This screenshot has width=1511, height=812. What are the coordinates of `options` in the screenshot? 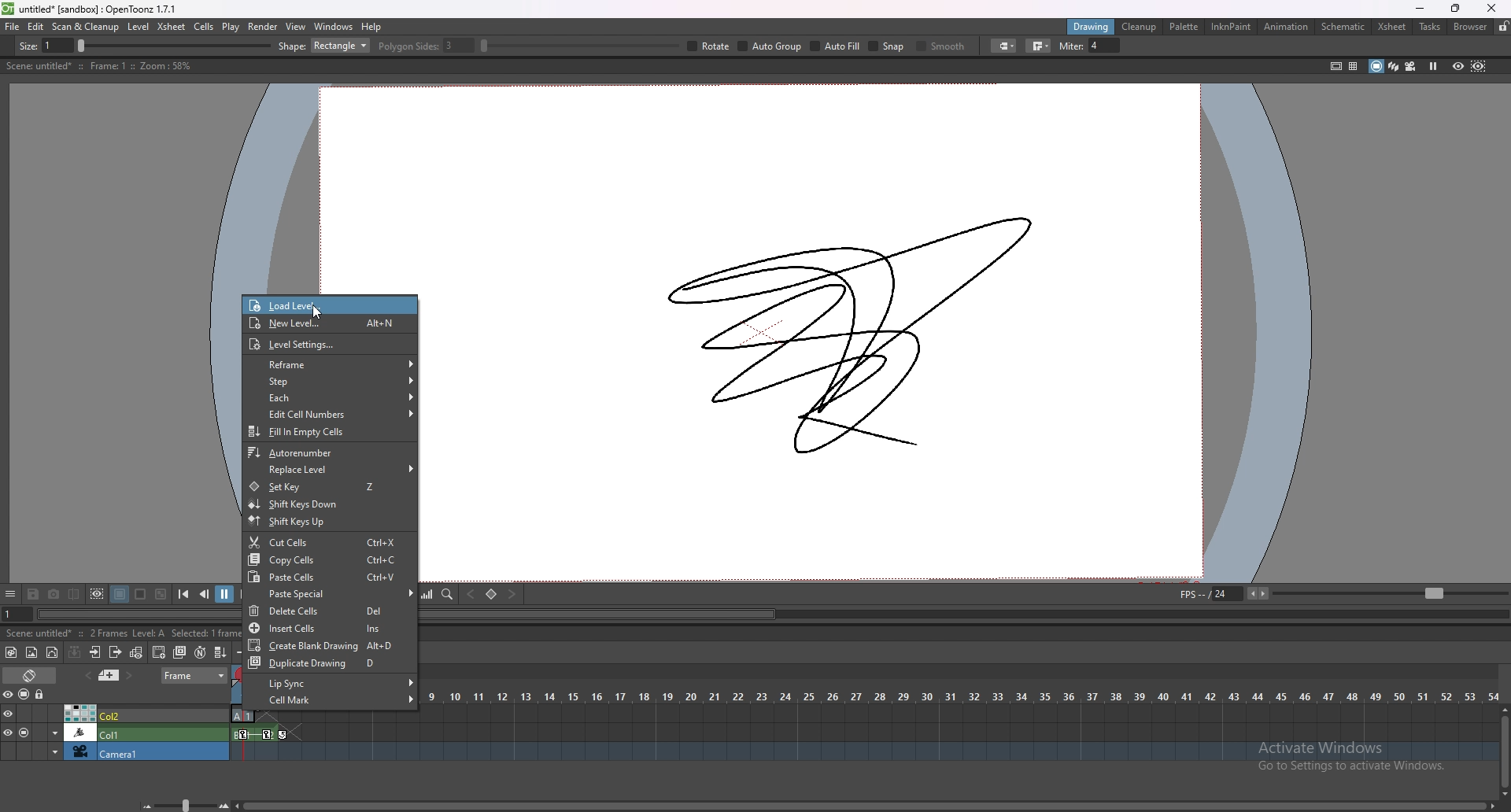 It's located at (10, 595).